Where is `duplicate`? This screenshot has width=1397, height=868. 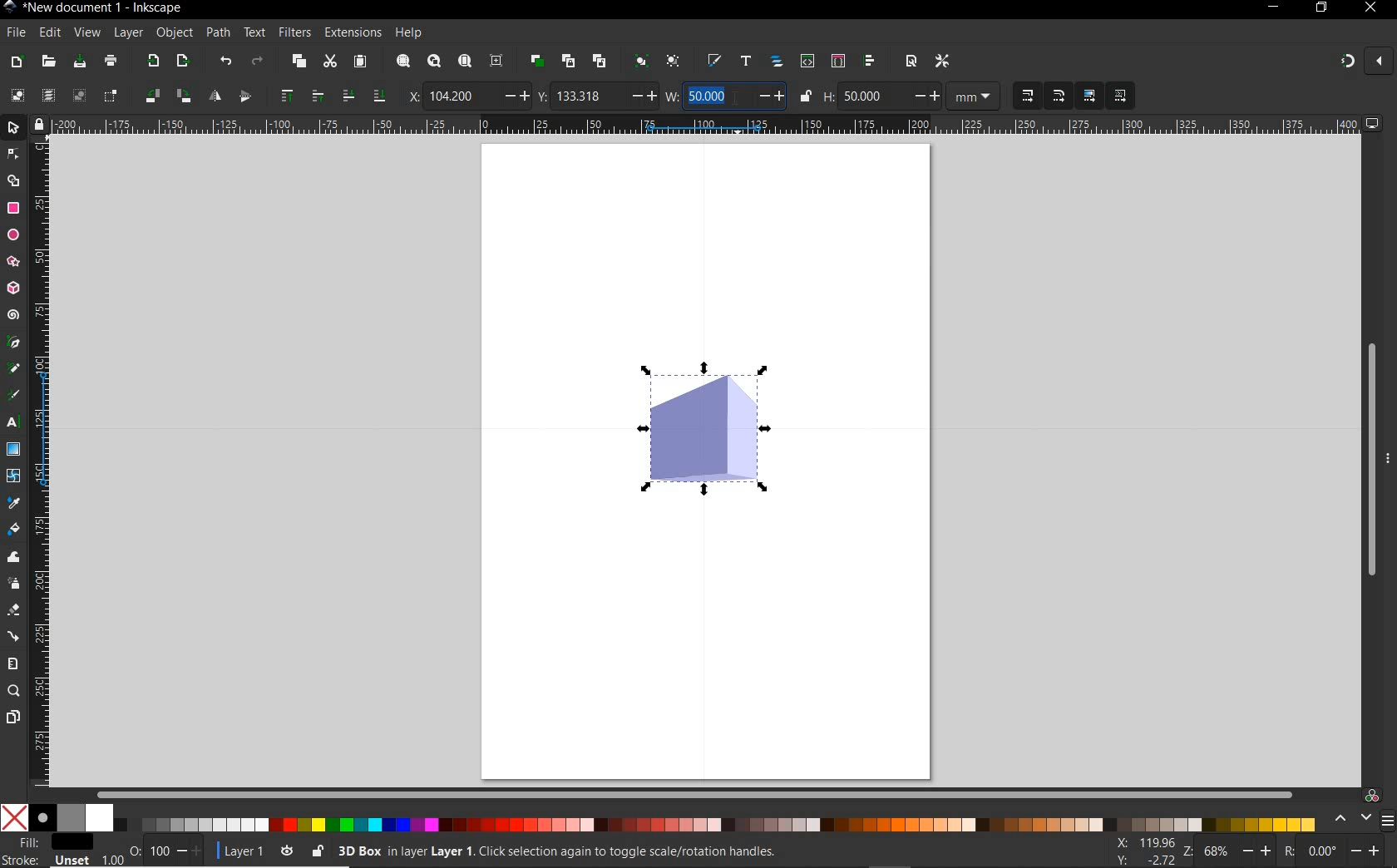
duplicate is located at coordinates (536, 62).